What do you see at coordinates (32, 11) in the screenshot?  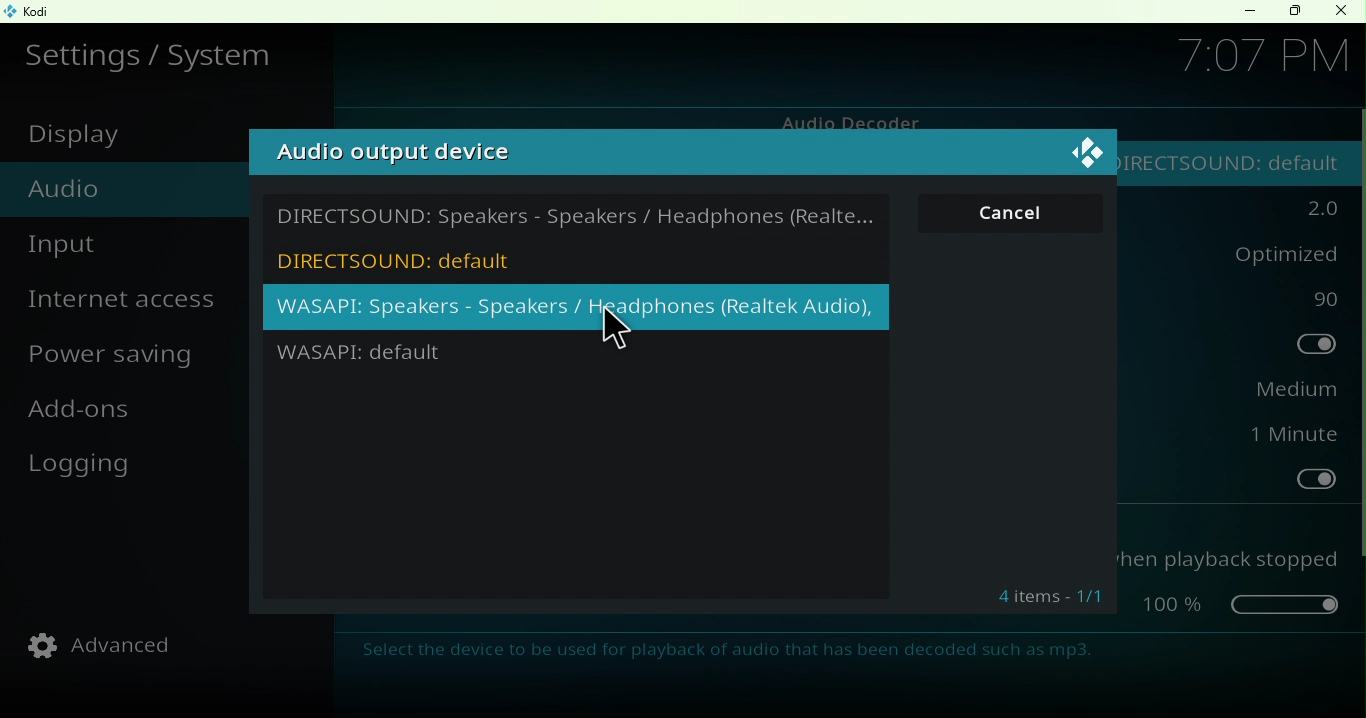 I see `Kodi icon` at bounding box center [32, 11].